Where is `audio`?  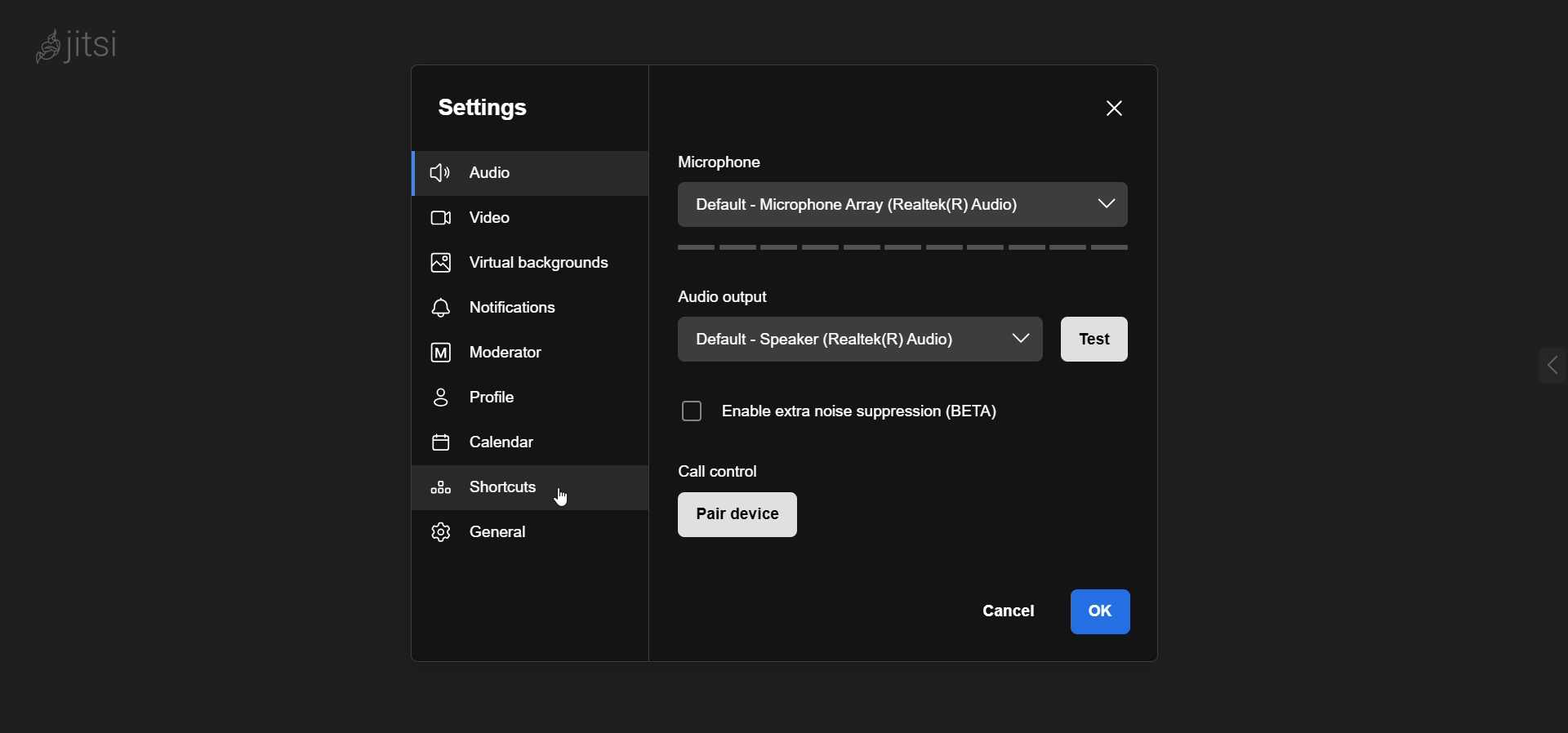
audio is located at coordinates (480, 171).